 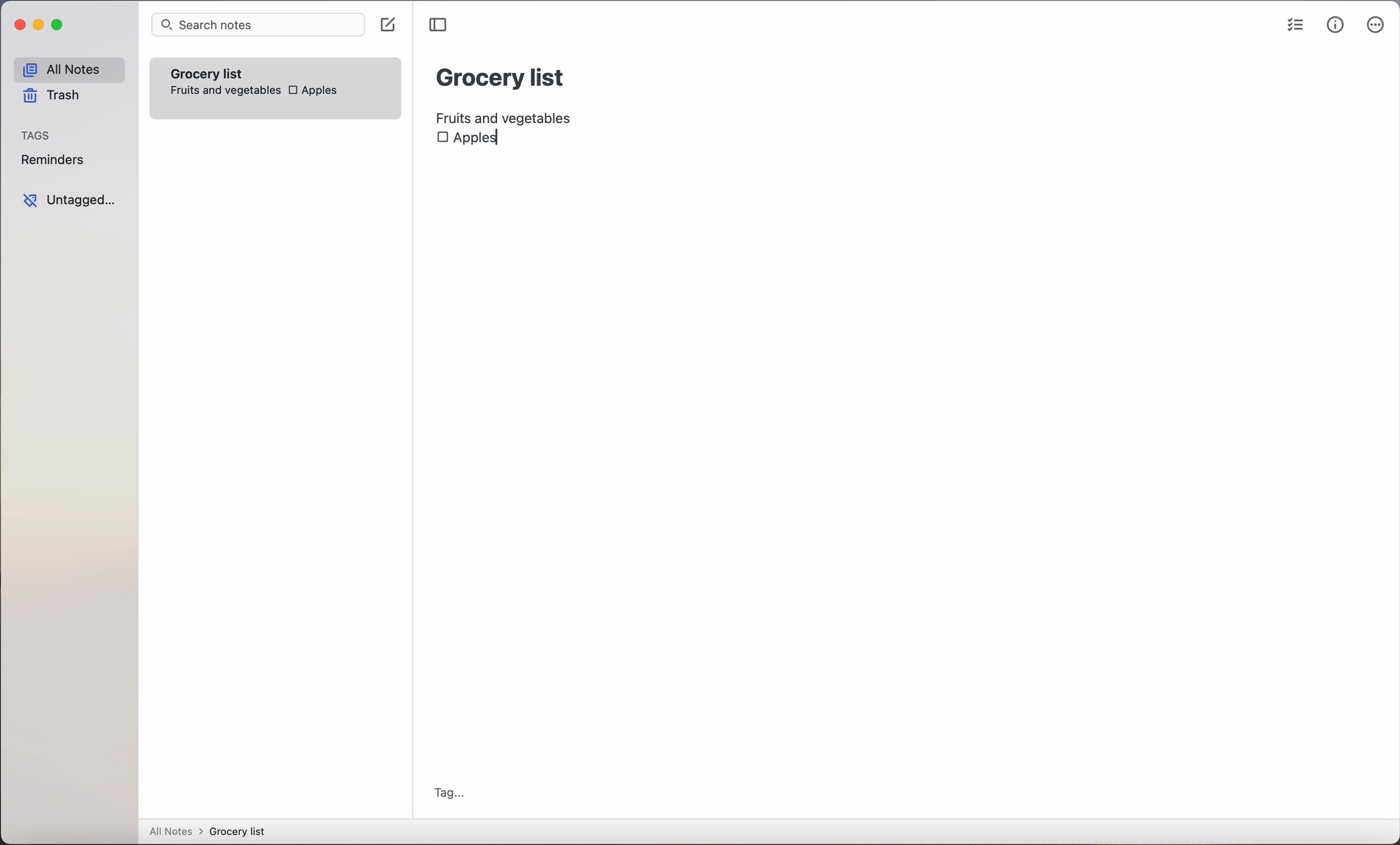 What do you see at coordinates (41, 27) in the screenshot?
I see `minimize Simplenote` at bounding box center [41, 27].